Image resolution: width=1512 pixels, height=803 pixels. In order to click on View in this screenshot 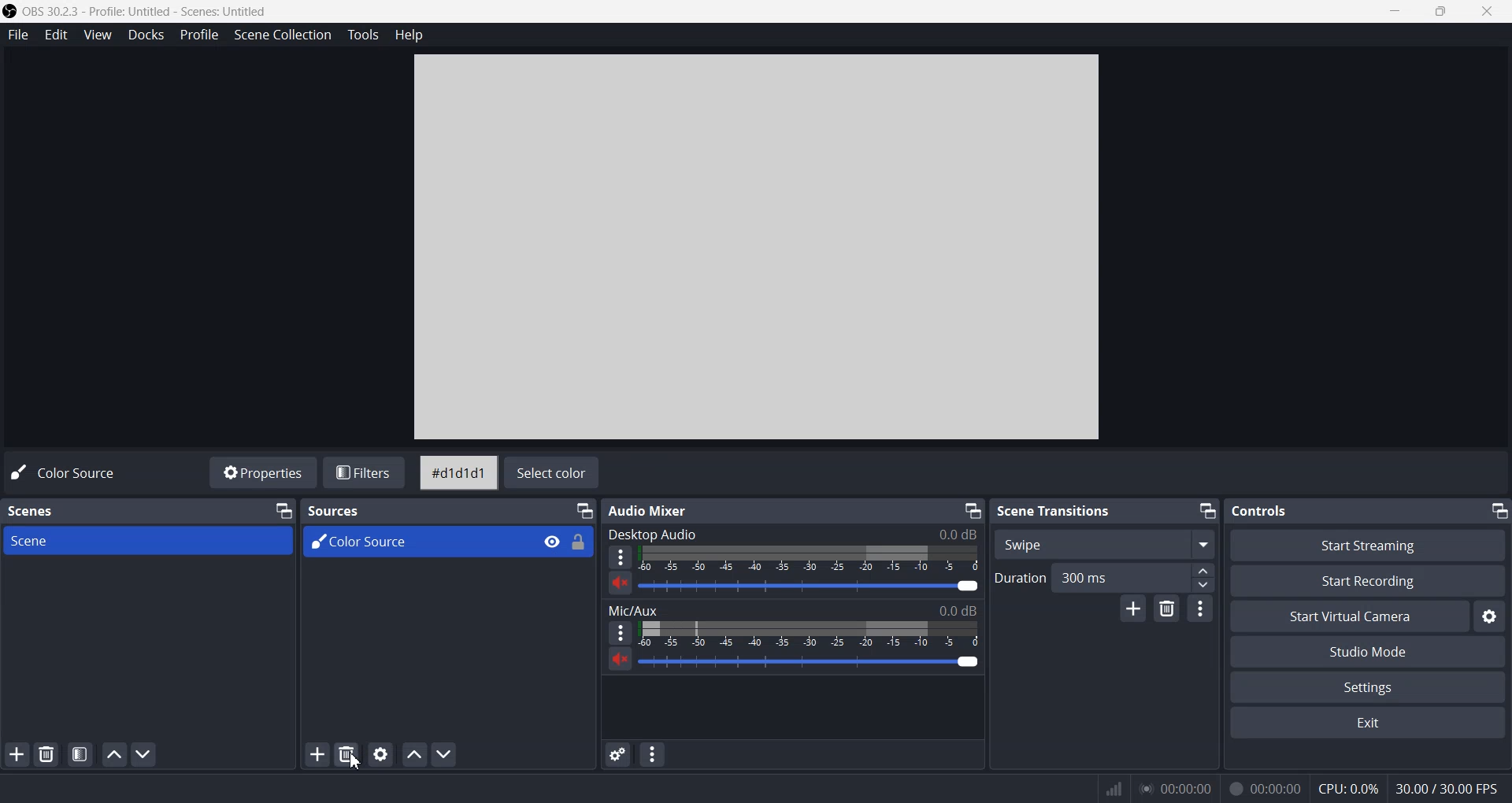, I will do `click(96, 35)`.